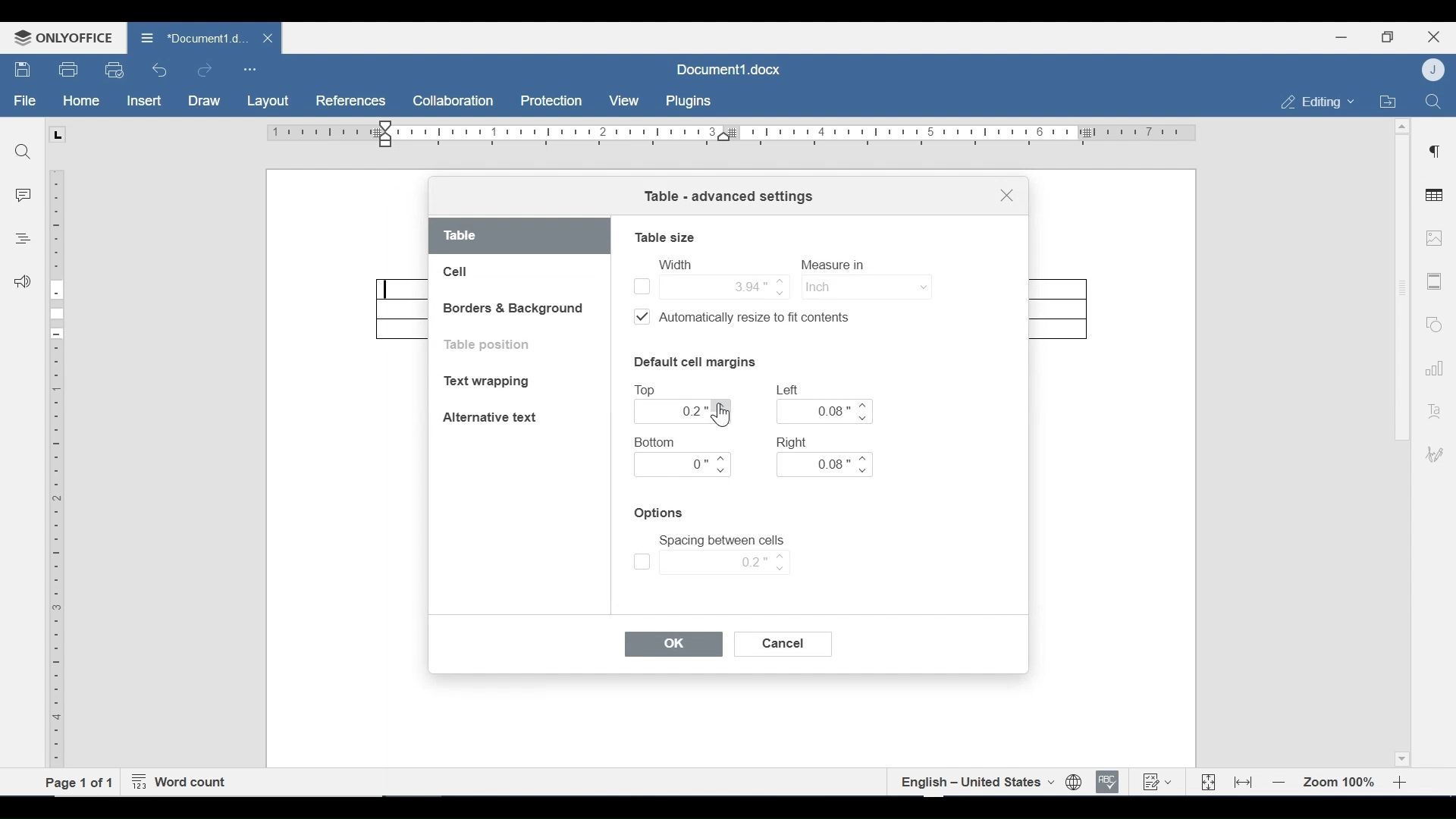 The height and width of the screenshot is (819, 1456). I want to click on Restore, so click(1387, 37).